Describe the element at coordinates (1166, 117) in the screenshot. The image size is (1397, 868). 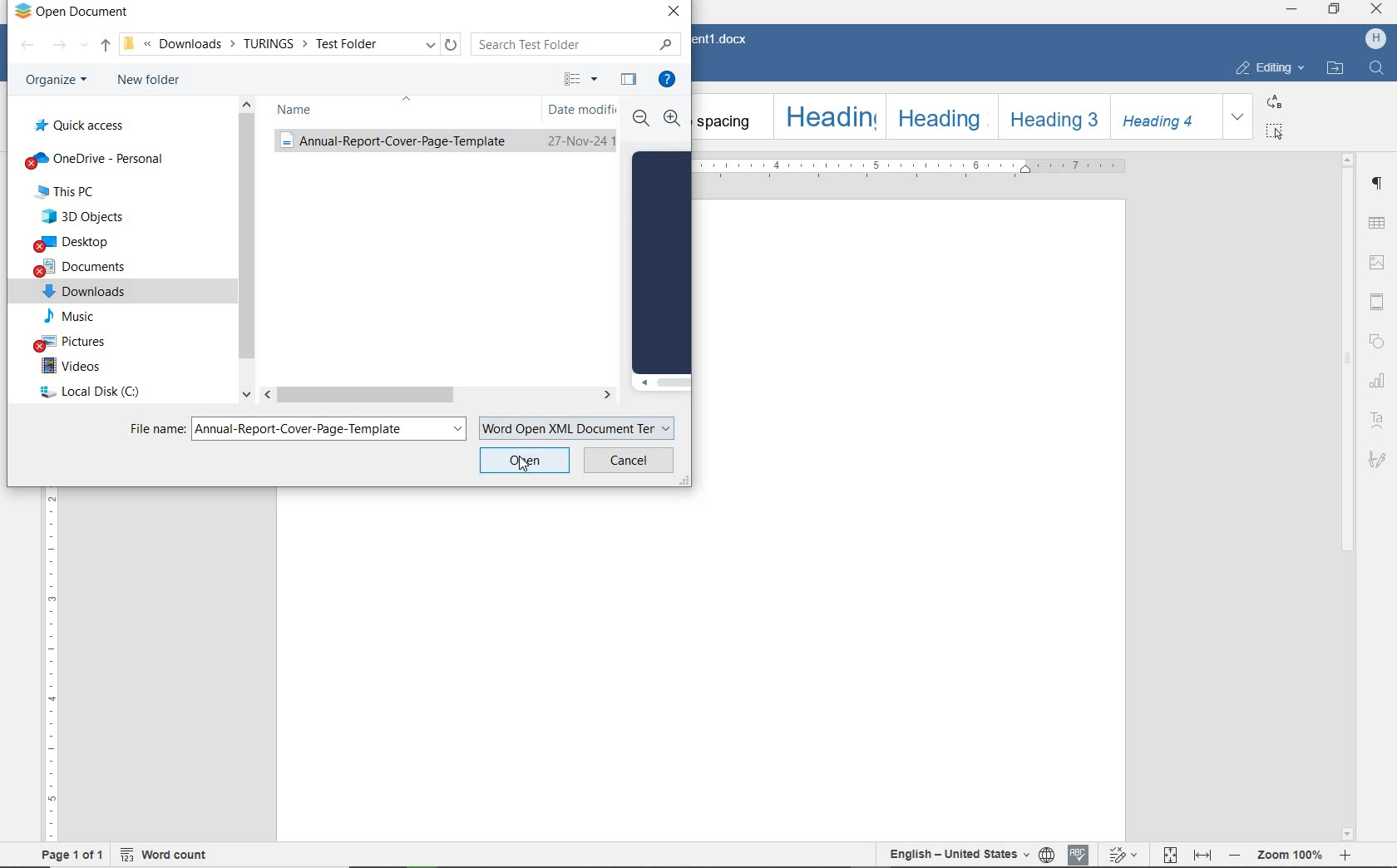
I see `heading 4` at that location.